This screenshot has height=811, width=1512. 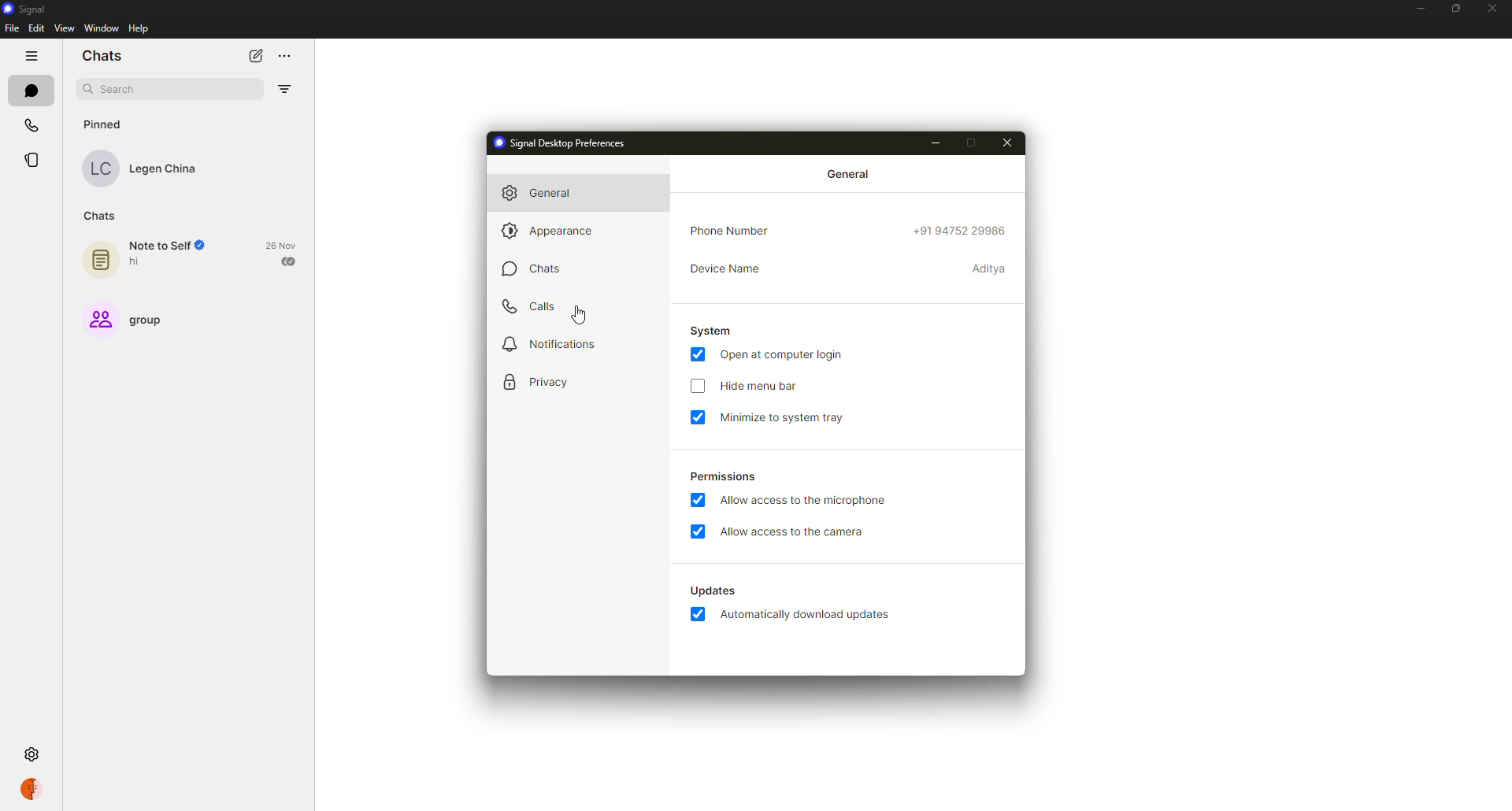 What do you see at coordinates (291, 262) in the screenshot?
I see `Read` at bounding box center [291, 262].